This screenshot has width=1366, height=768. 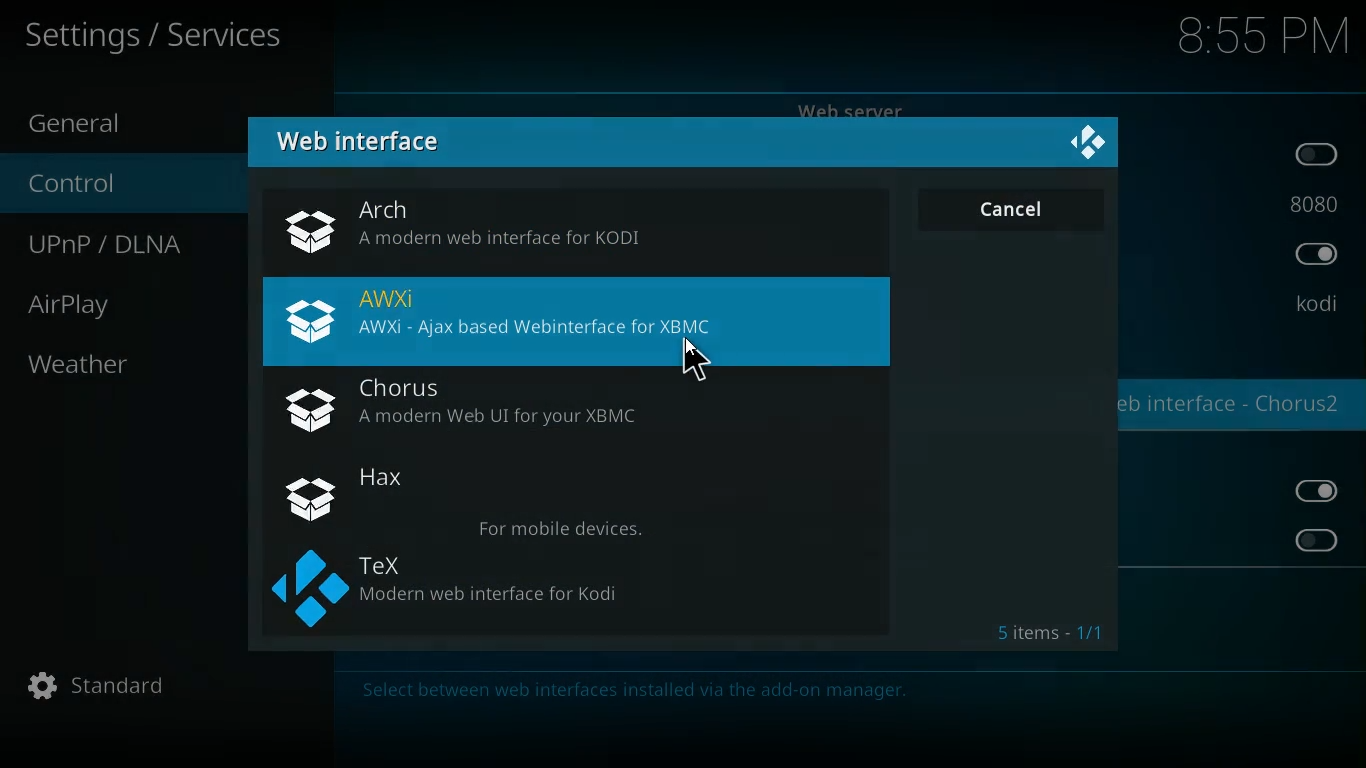 I want to click on AirPlay, so click(x=93, y=305).